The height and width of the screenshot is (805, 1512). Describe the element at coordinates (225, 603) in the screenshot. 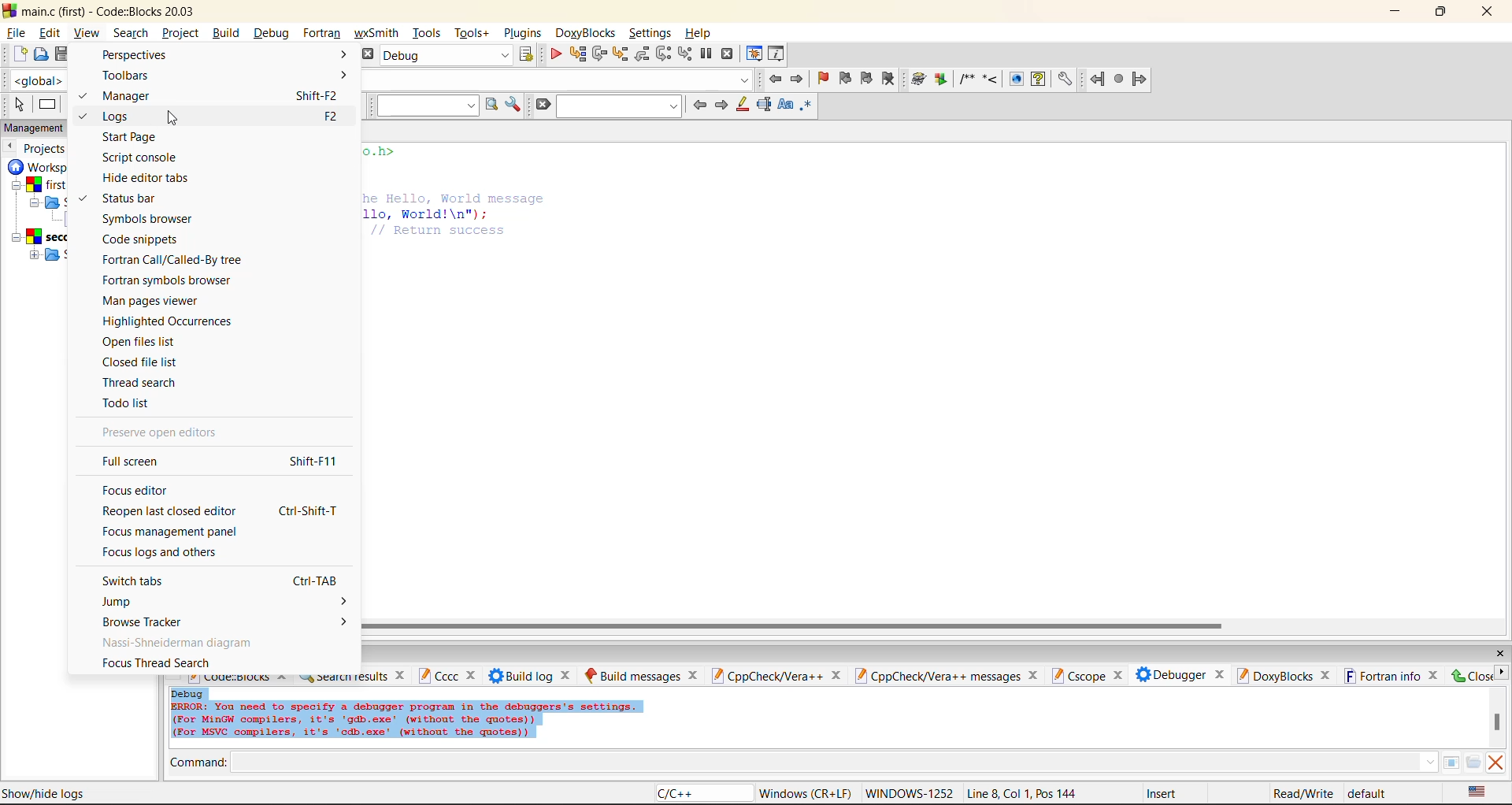

I see `jump` at that location.